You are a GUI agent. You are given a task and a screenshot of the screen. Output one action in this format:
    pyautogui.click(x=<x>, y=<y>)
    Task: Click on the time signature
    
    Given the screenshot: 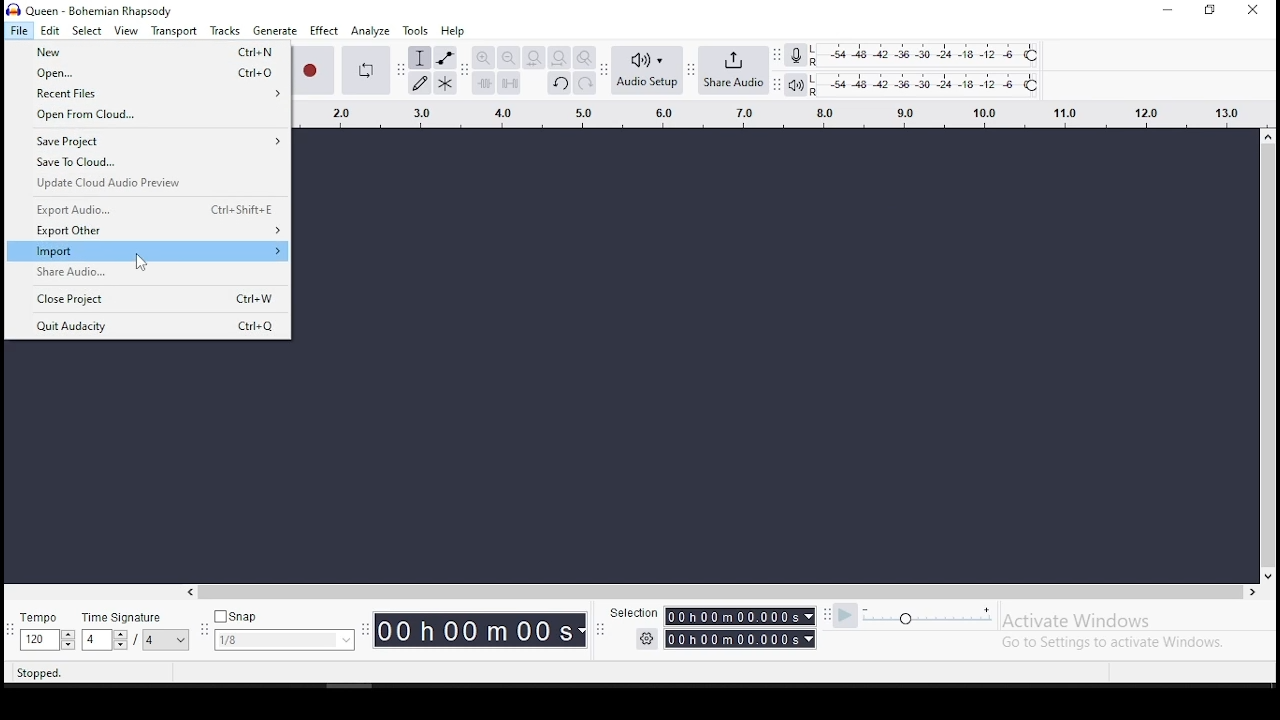 What is the action you would take?
    pyautogui.click(x=138, y=632)
    